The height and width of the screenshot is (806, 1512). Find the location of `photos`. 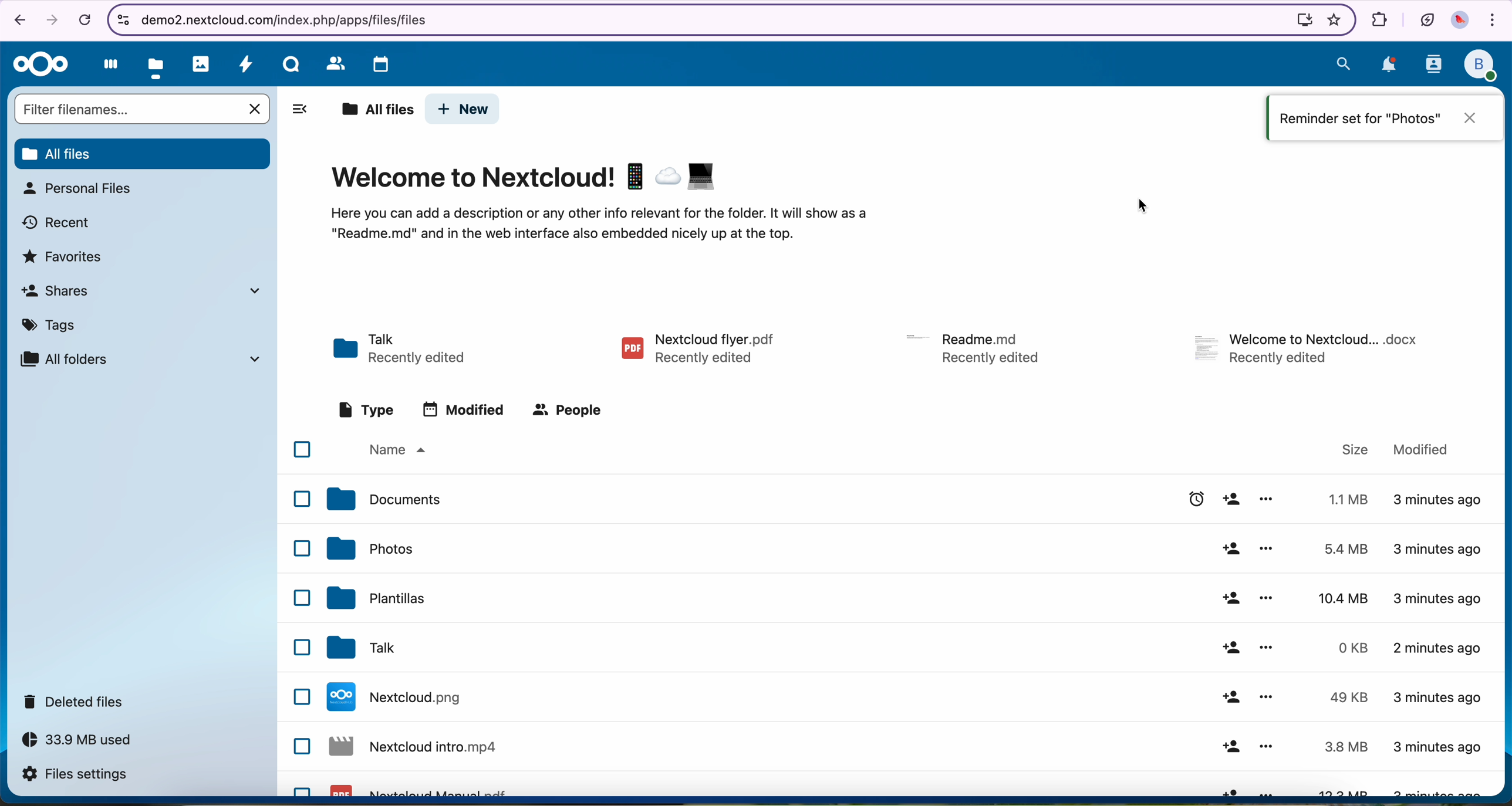

photos is located at coordinates (372, 548).